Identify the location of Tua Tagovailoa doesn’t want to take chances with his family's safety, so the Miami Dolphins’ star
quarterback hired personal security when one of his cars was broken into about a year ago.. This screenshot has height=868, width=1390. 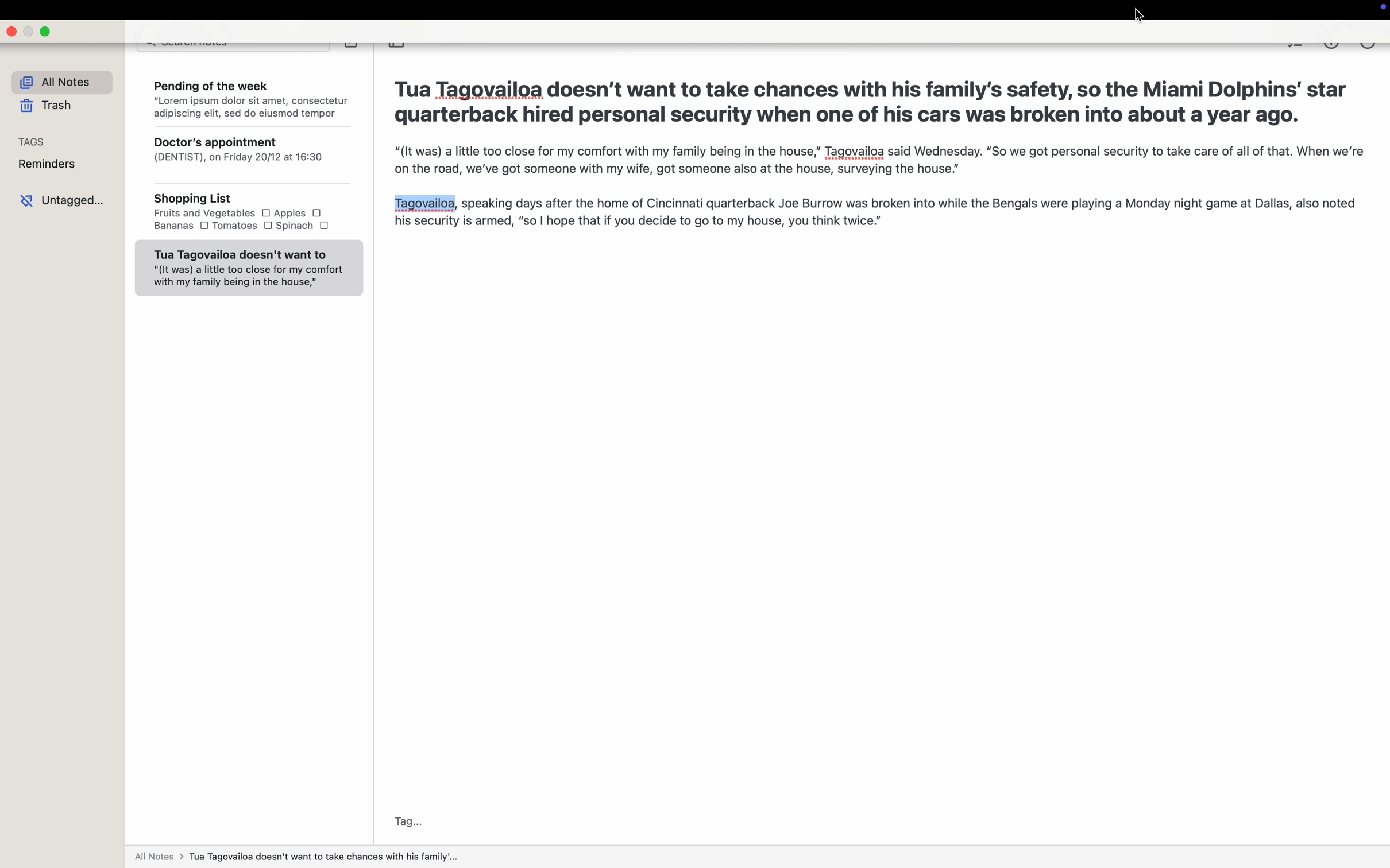
(873, 100).